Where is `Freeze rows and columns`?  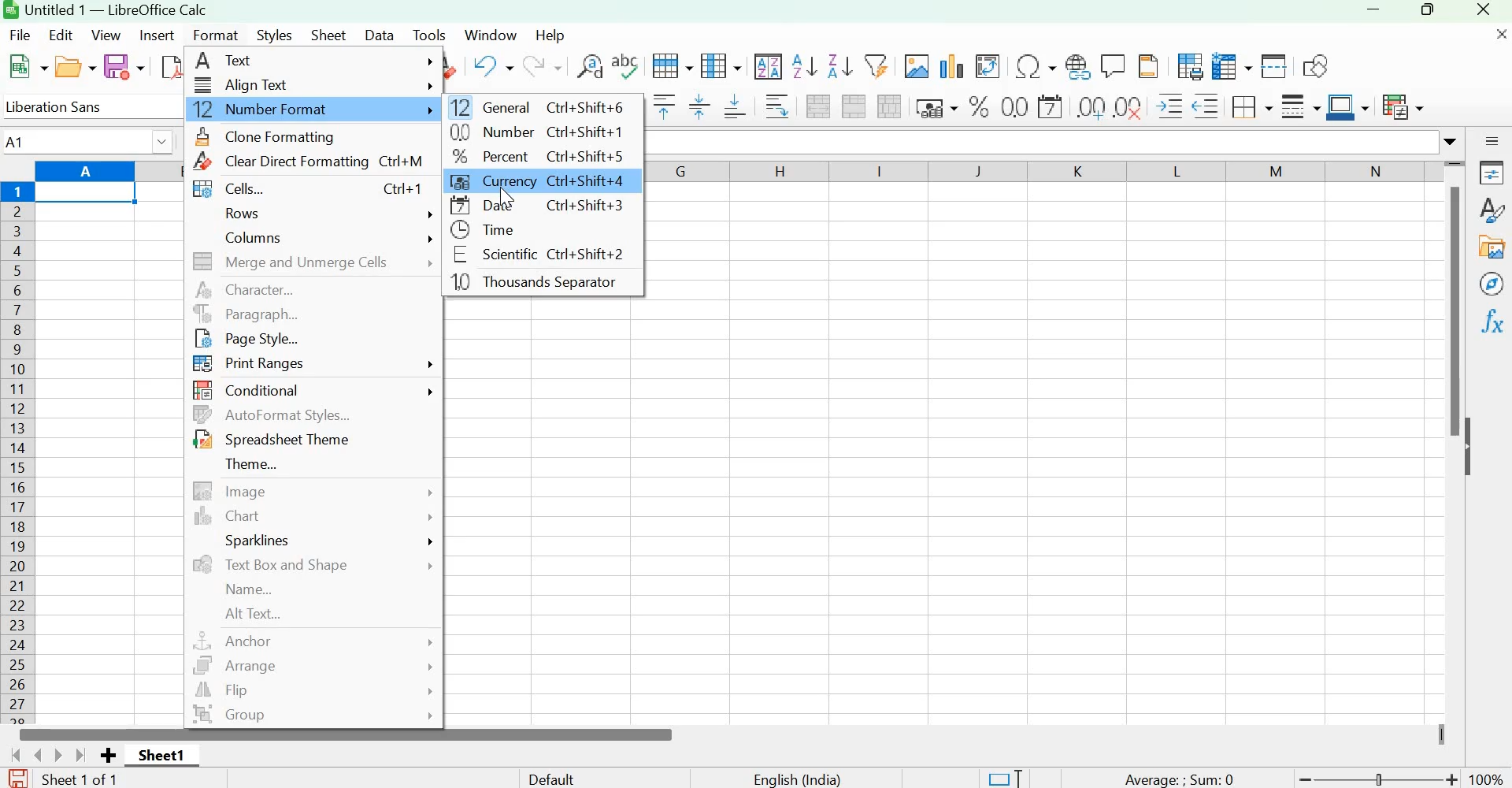
Freeze rows and columns is located at coordinates (1232, 66).